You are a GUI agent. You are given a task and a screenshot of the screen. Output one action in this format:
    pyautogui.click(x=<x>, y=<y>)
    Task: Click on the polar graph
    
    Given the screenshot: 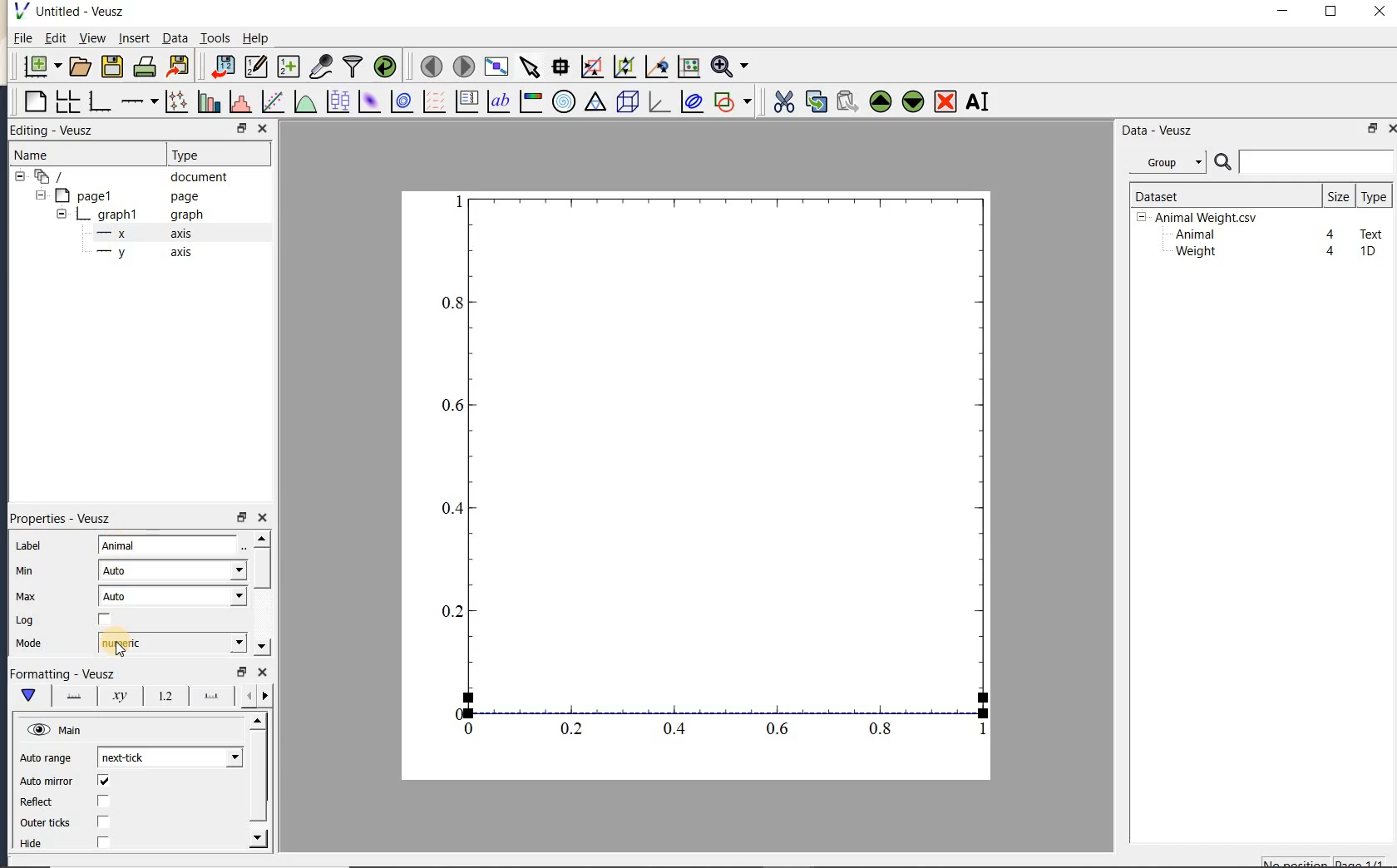 What is the action you would take?
    pyautogui.click(x=563, y=101)
    